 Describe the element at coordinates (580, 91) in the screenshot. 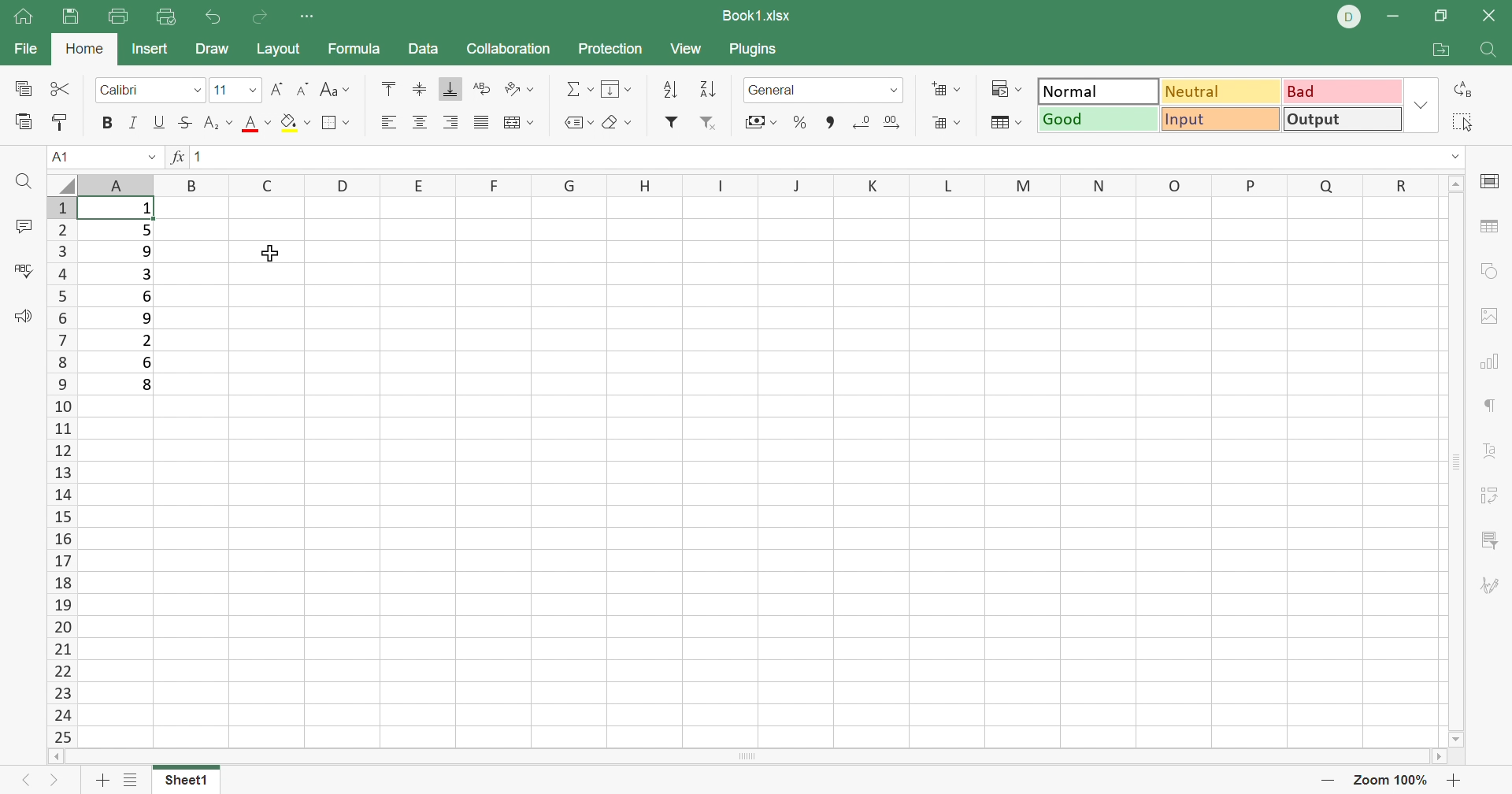

I see `Summation` at that location.